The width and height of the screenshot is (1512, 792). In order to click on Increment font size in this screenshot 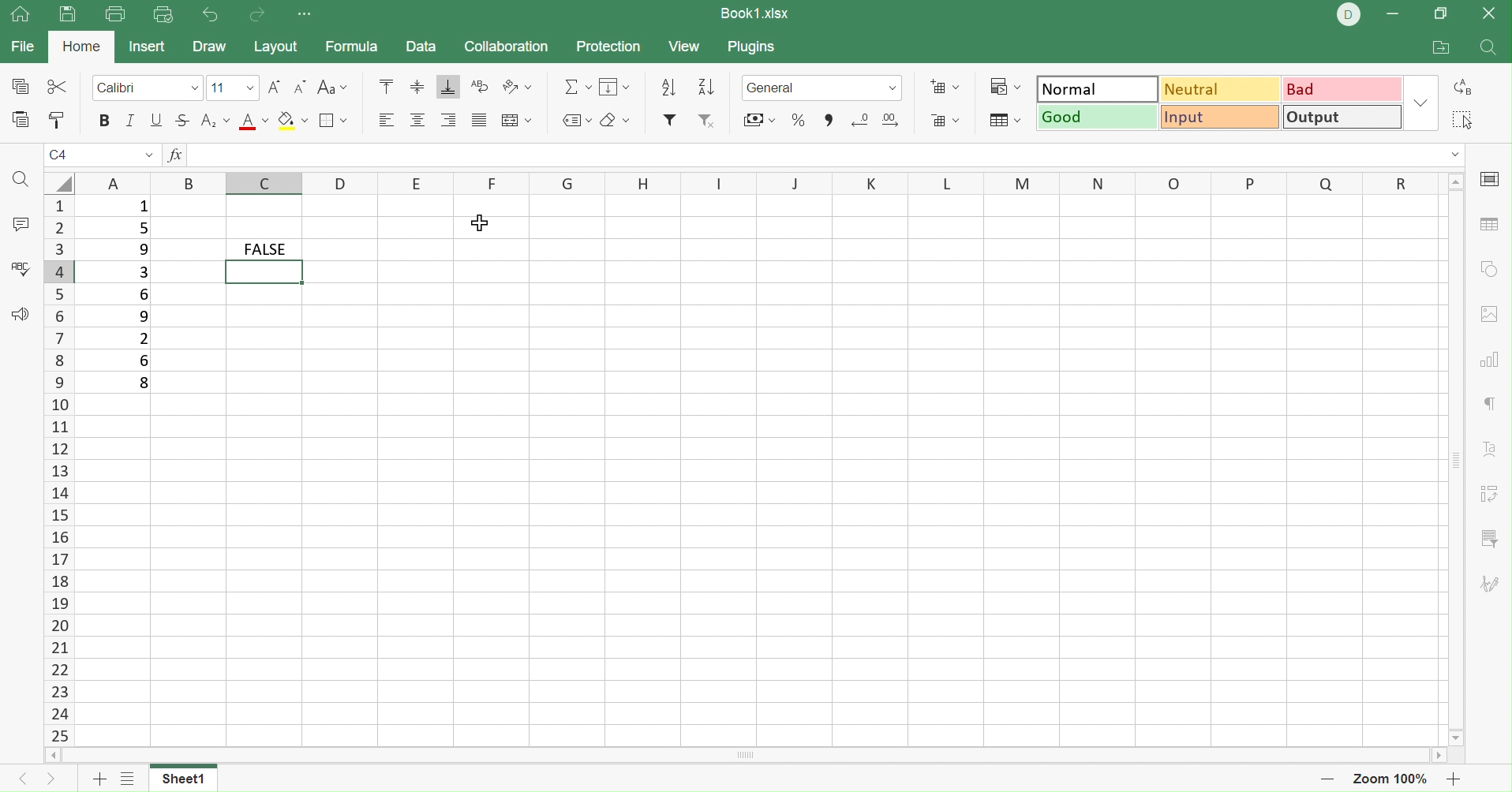, I will do `click(273, 87)`.